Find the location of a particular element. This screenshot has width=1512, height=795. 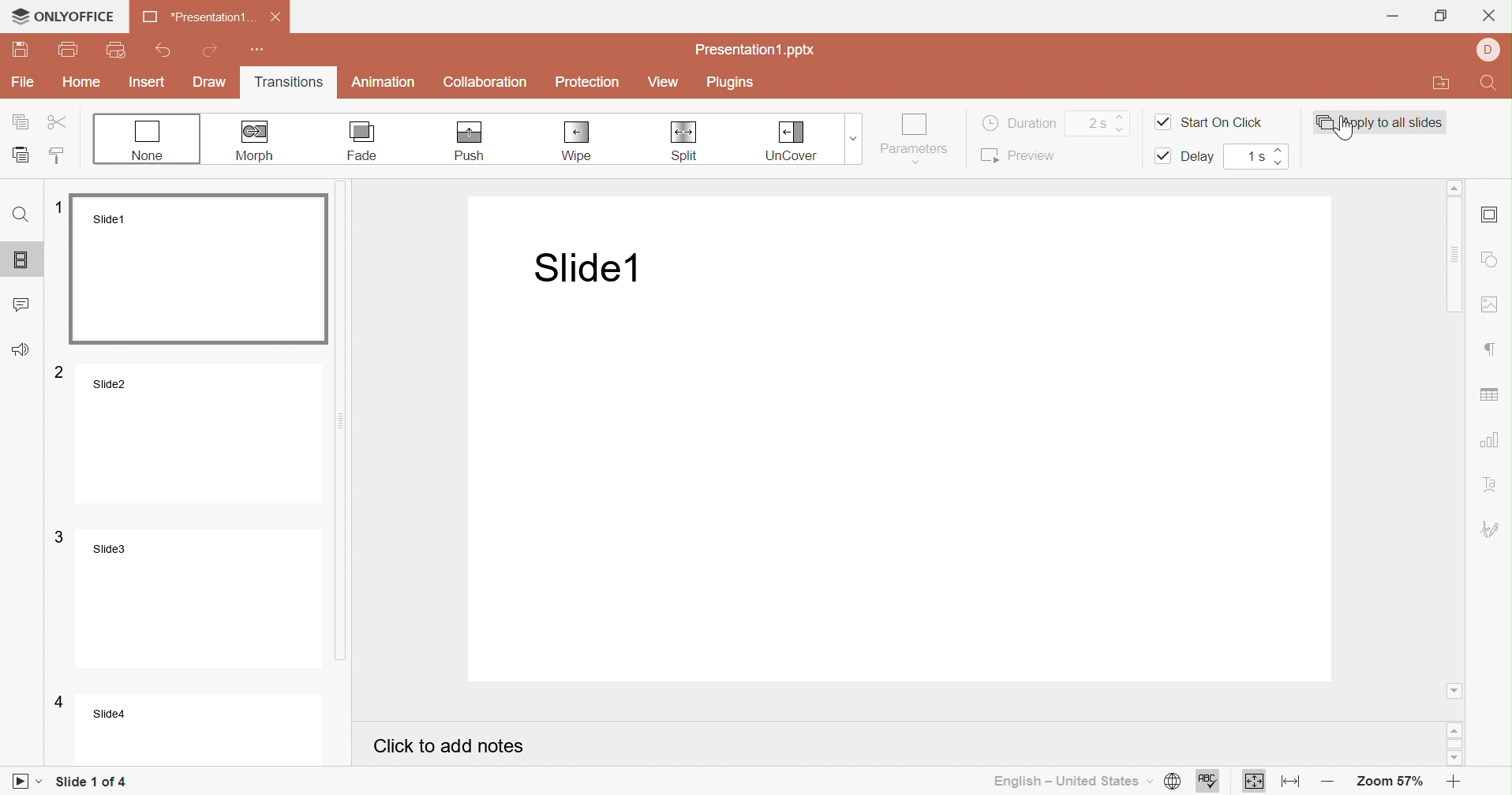

Shape settings is located at coordinates (1488, 260).